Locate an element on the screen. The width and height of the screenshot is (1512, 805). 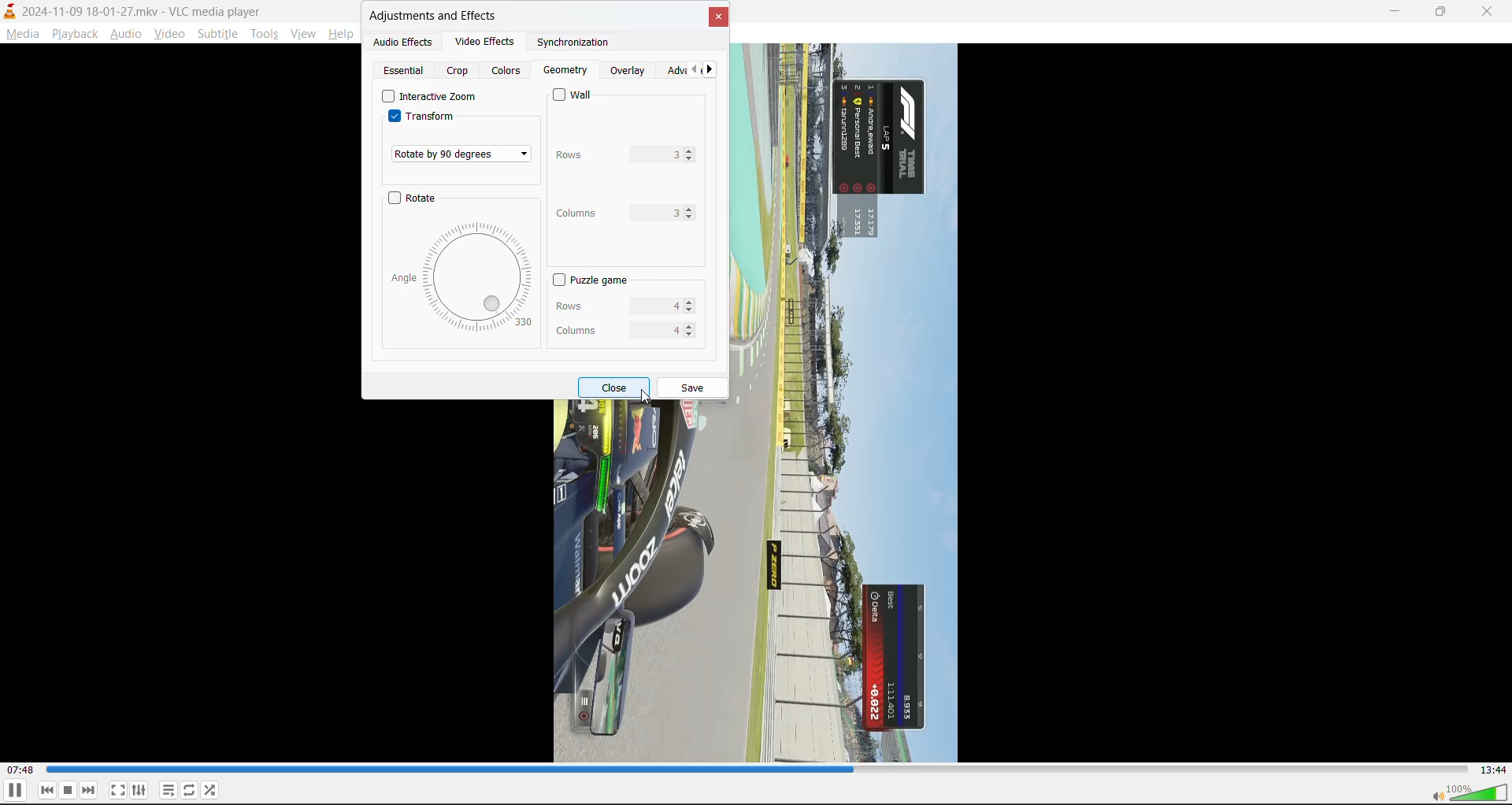
playlist is located at coordinates (169, 790).